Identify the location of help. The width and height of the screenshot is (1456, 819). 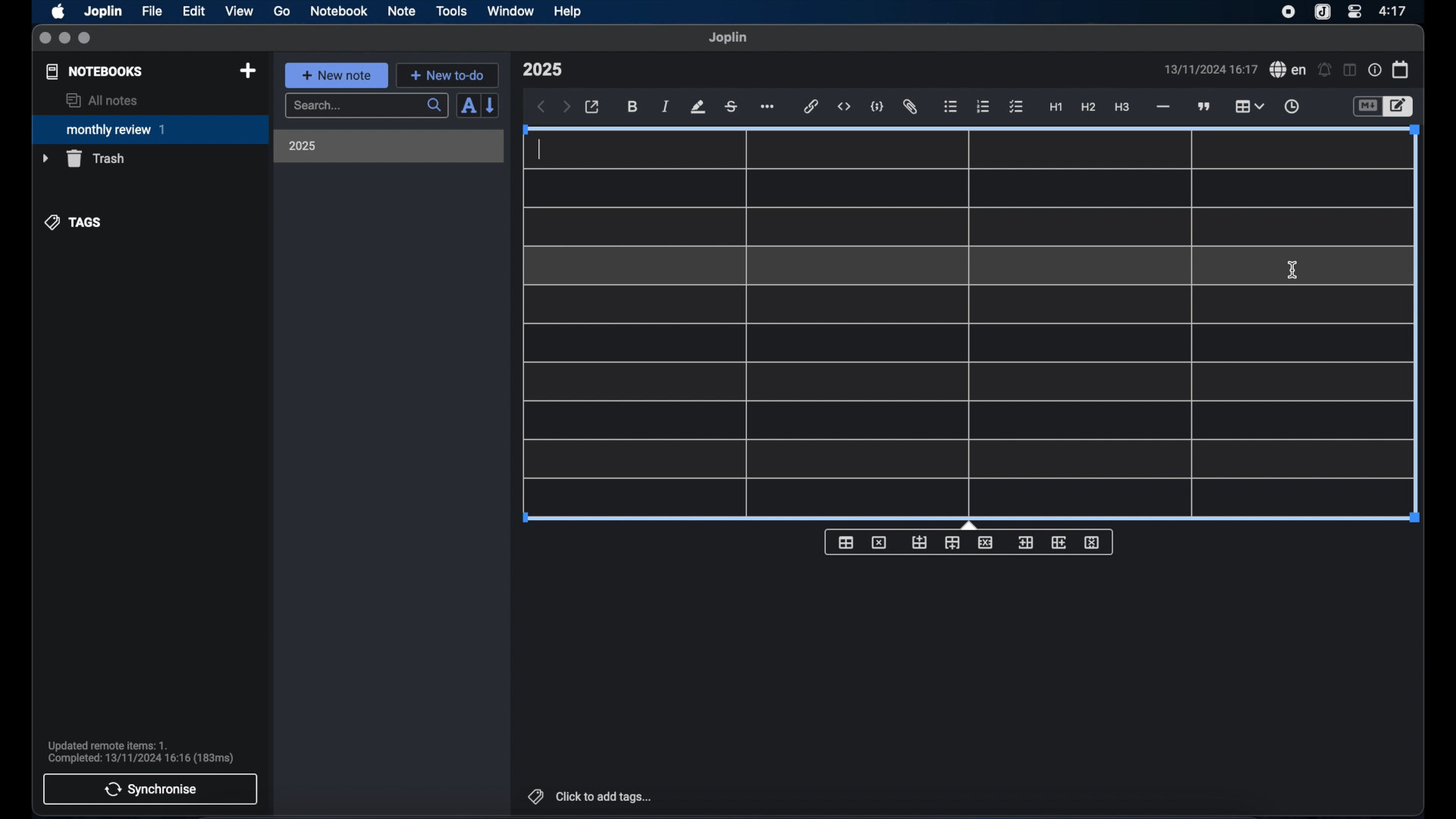
(569, 11).